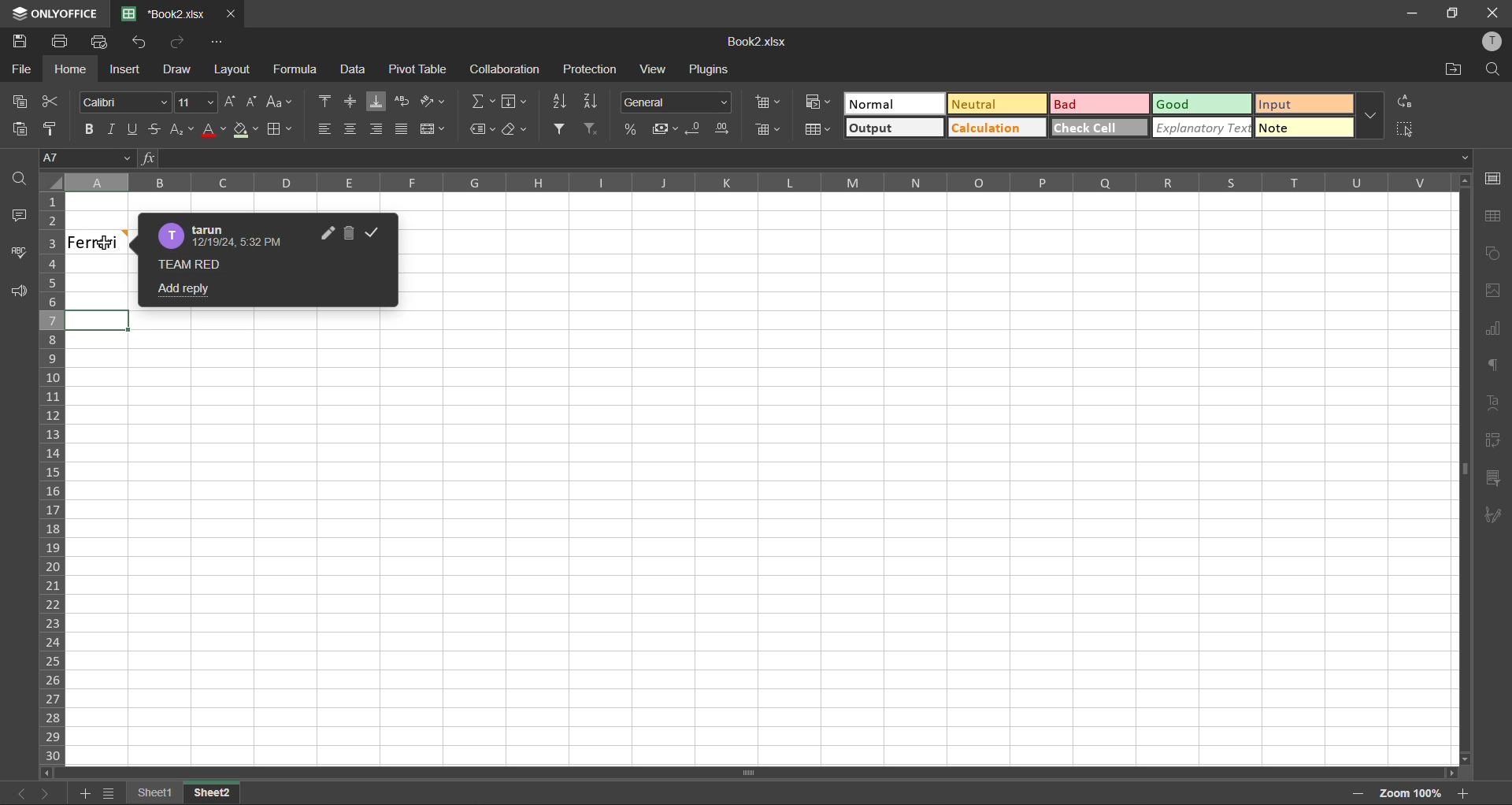 This screenshot has height=805, width=1512. Describe the element at coordinates (895, 103) in the screenshot. I see `normal` at that location.